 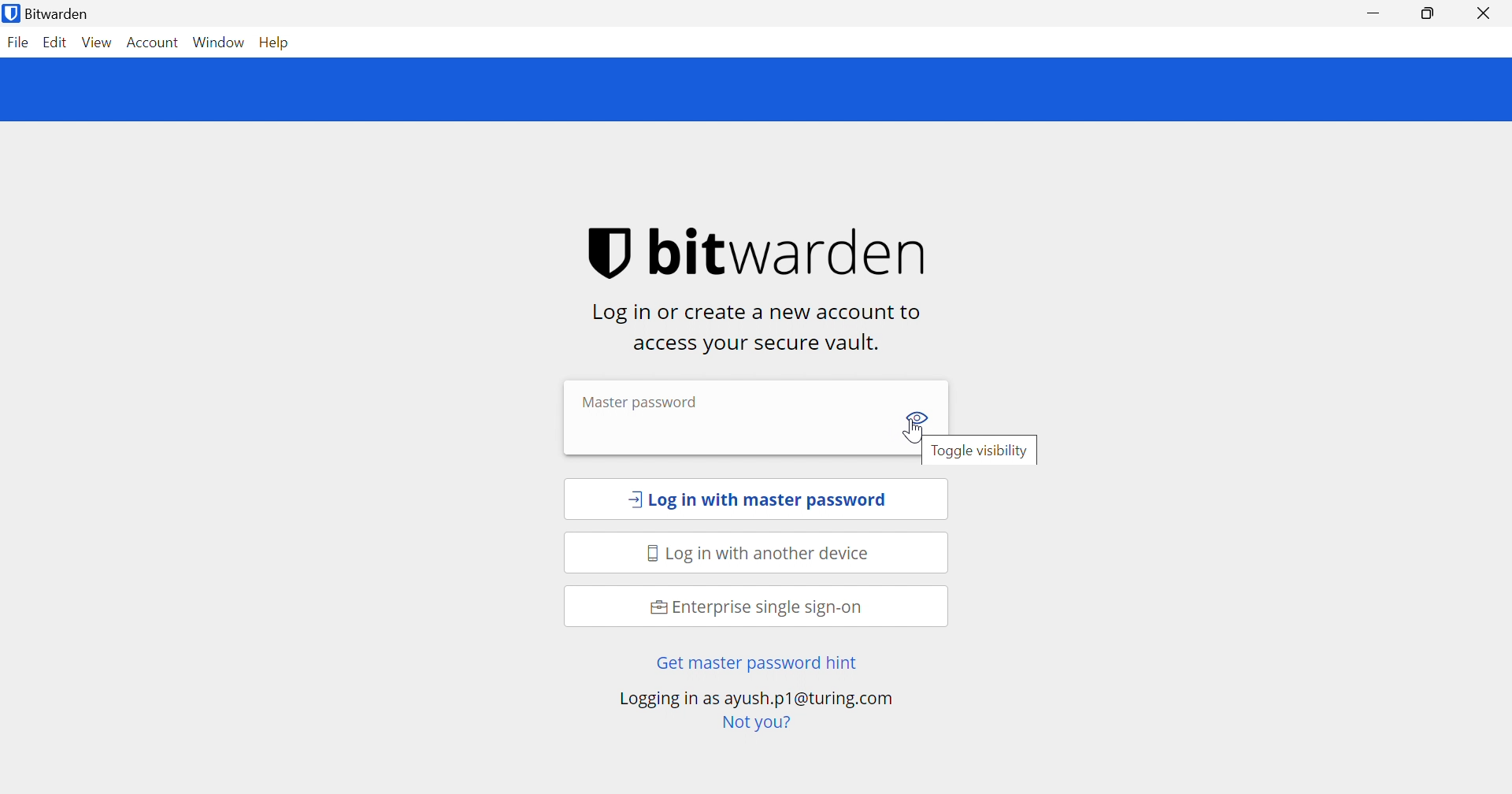 What do you see at coordinates (724, 432) in the screenshot?
I see `password input box` at bounding box center [724, 432].